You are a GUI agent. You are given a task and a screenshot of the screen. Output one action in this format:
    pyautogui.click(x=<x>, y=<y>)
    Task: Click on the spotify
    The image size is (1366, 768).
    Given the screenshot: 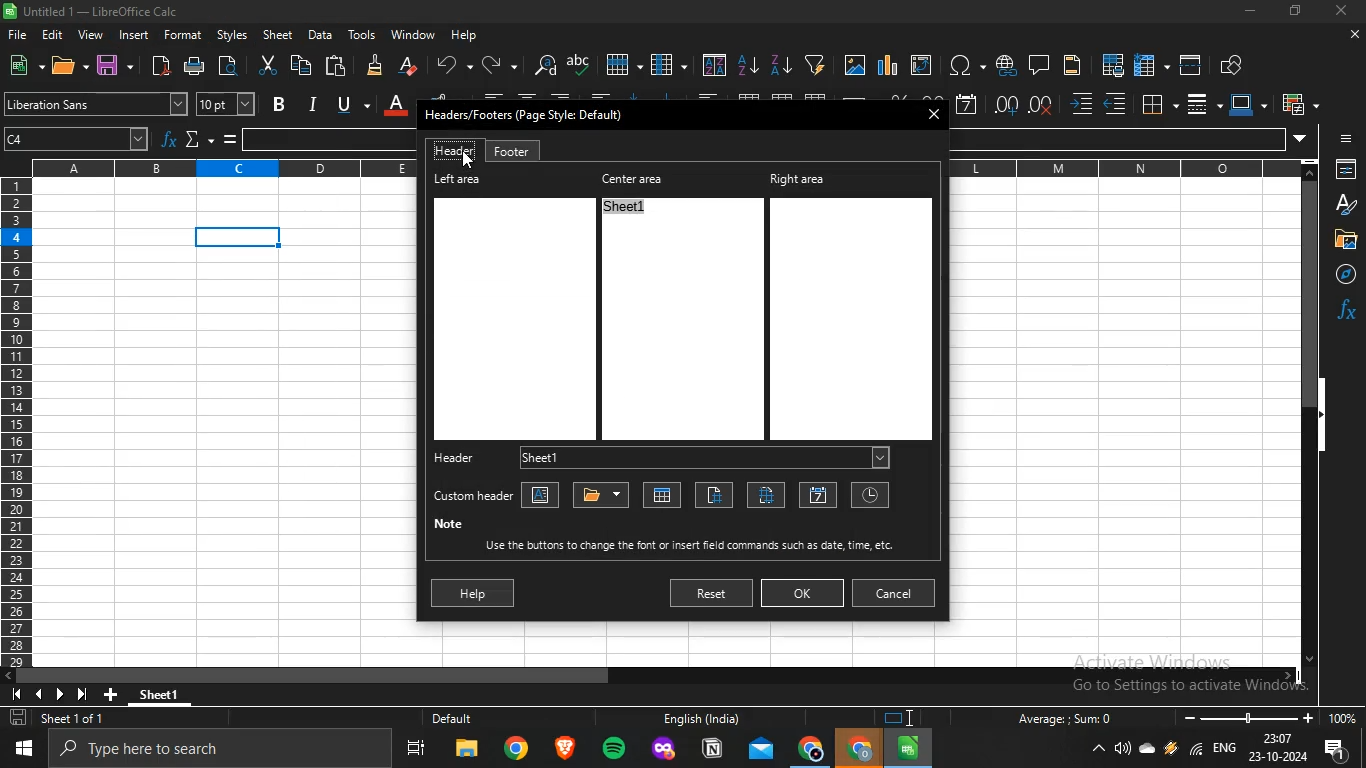 What is the action you would take?
    pyautogui.click(x=614, y=750)
    